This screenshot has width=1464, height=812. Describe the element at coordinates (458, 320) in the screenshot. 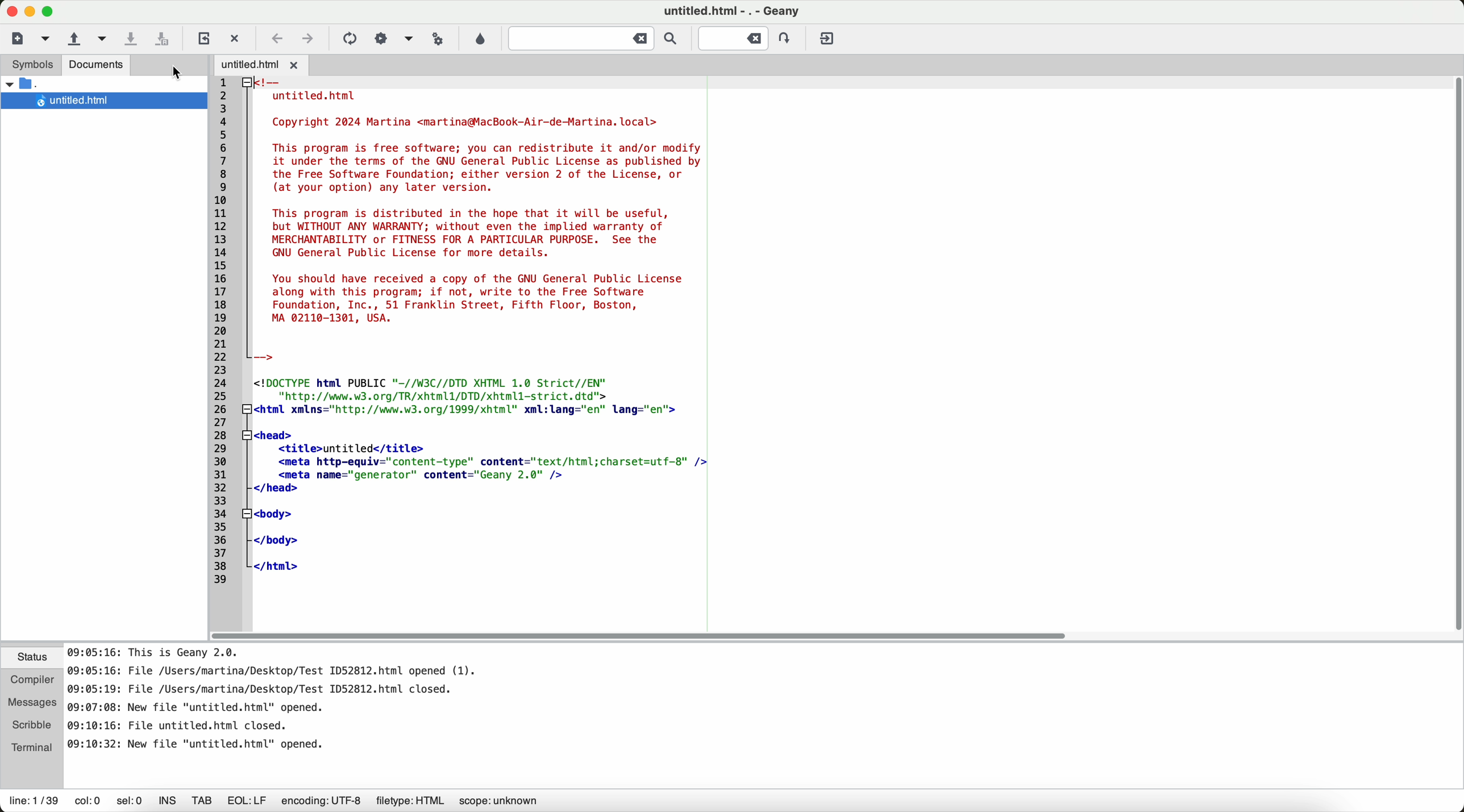

I see `untitled.html` at that location.